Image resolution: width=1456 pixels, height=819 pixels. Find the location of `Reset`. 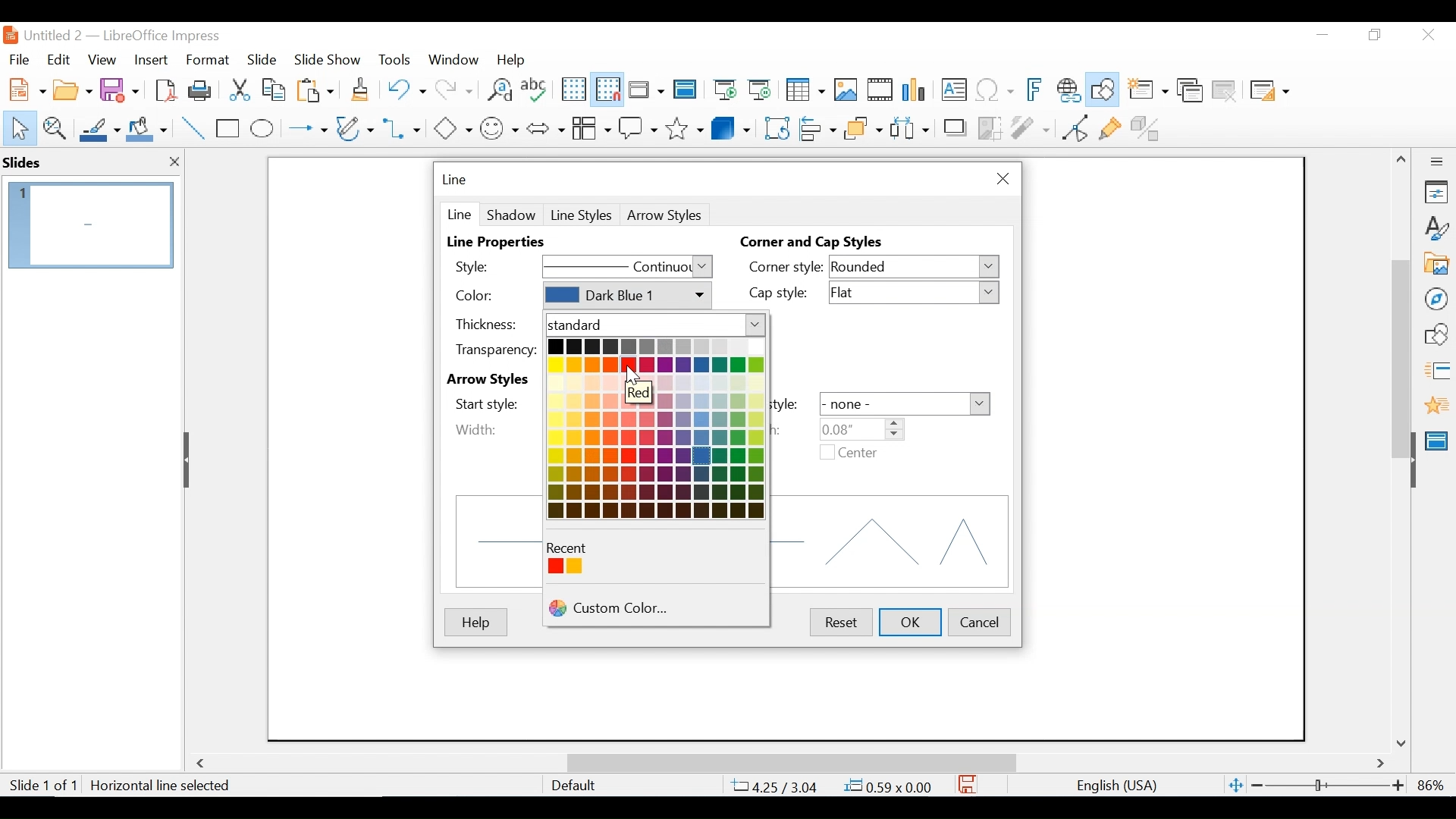

Reset is located at coordinates (839, 622).